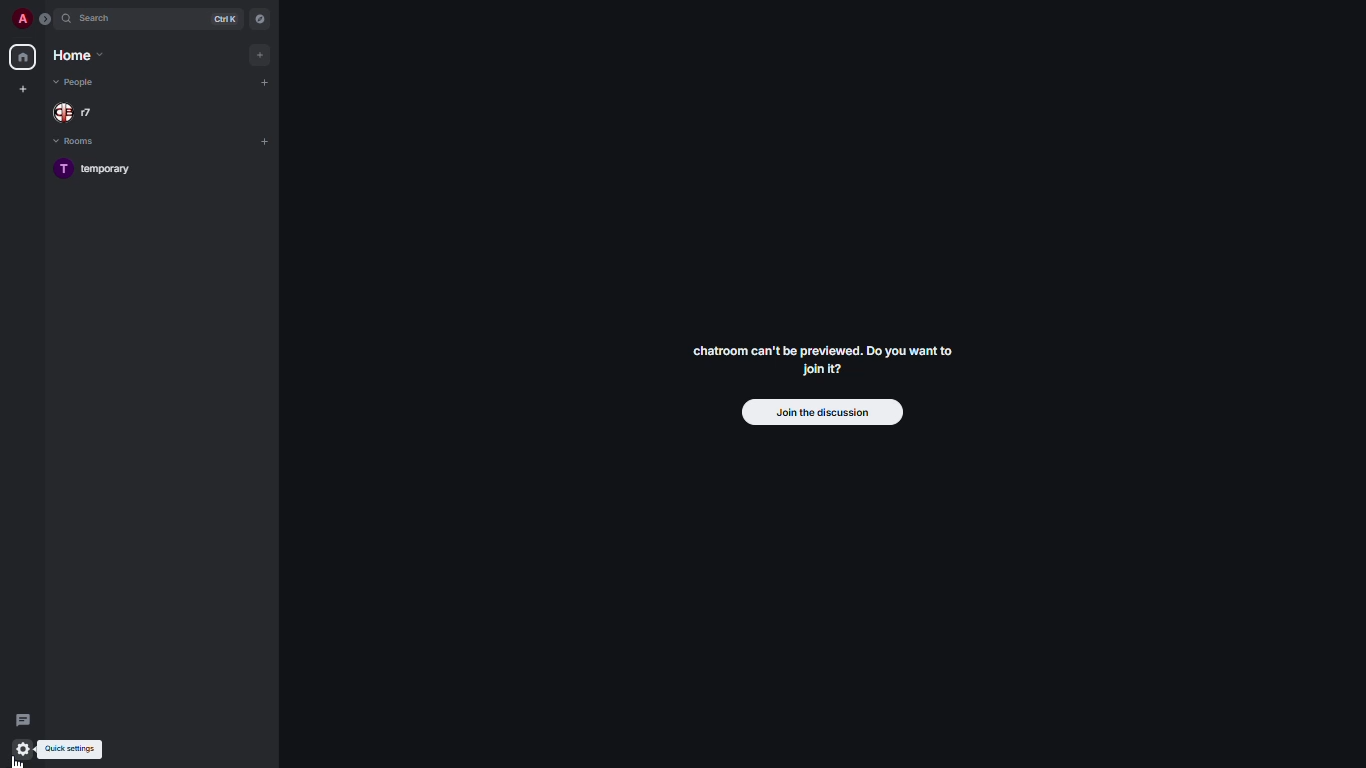 This screenshot has height=768, width=1366. Describe the element at coordinates (22, 19) in the screenshot. I see `profile` at that location.